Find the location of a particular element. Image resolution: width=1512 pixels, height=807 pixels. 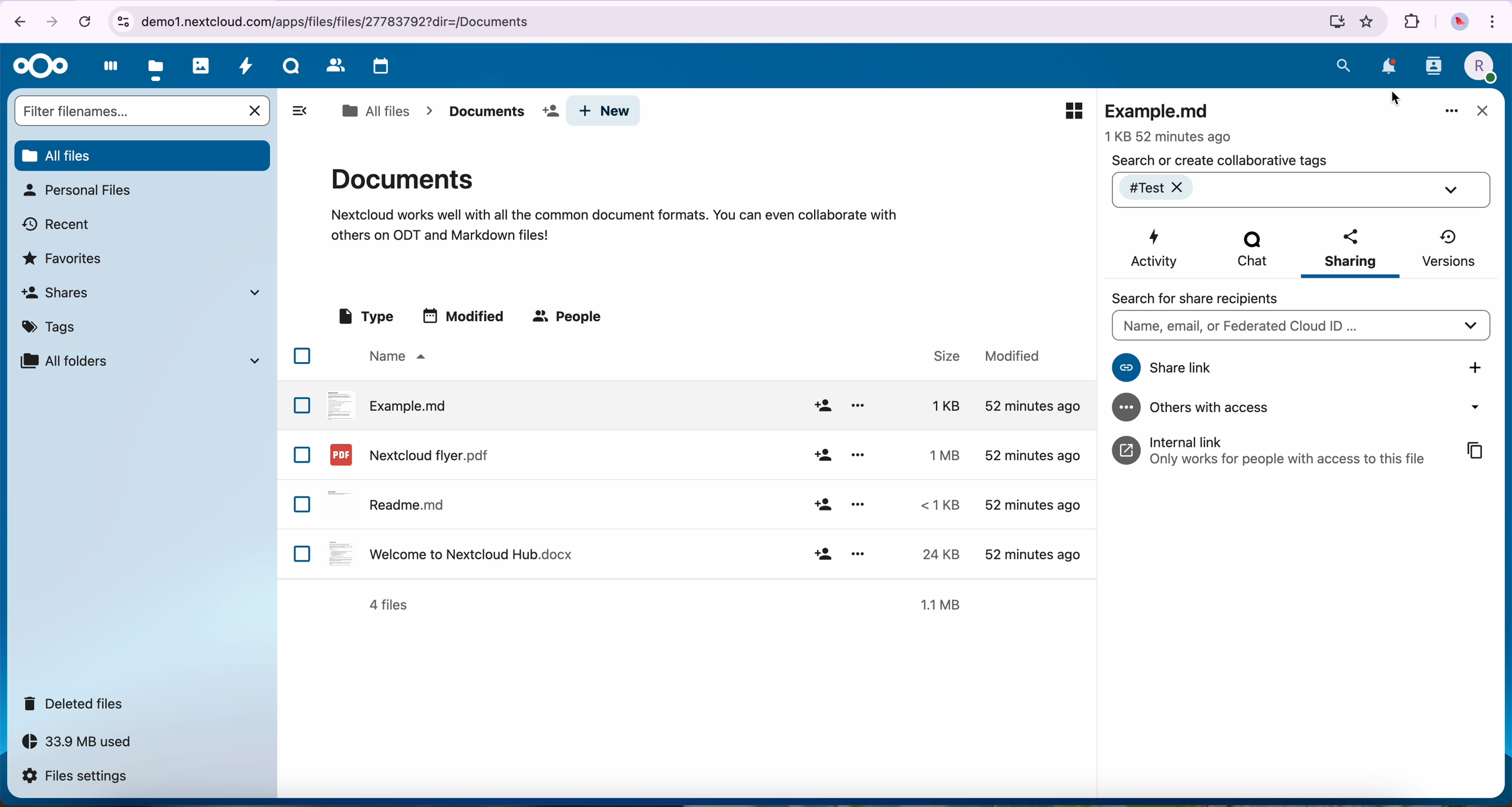

search is located at coordinates (1344, 65).